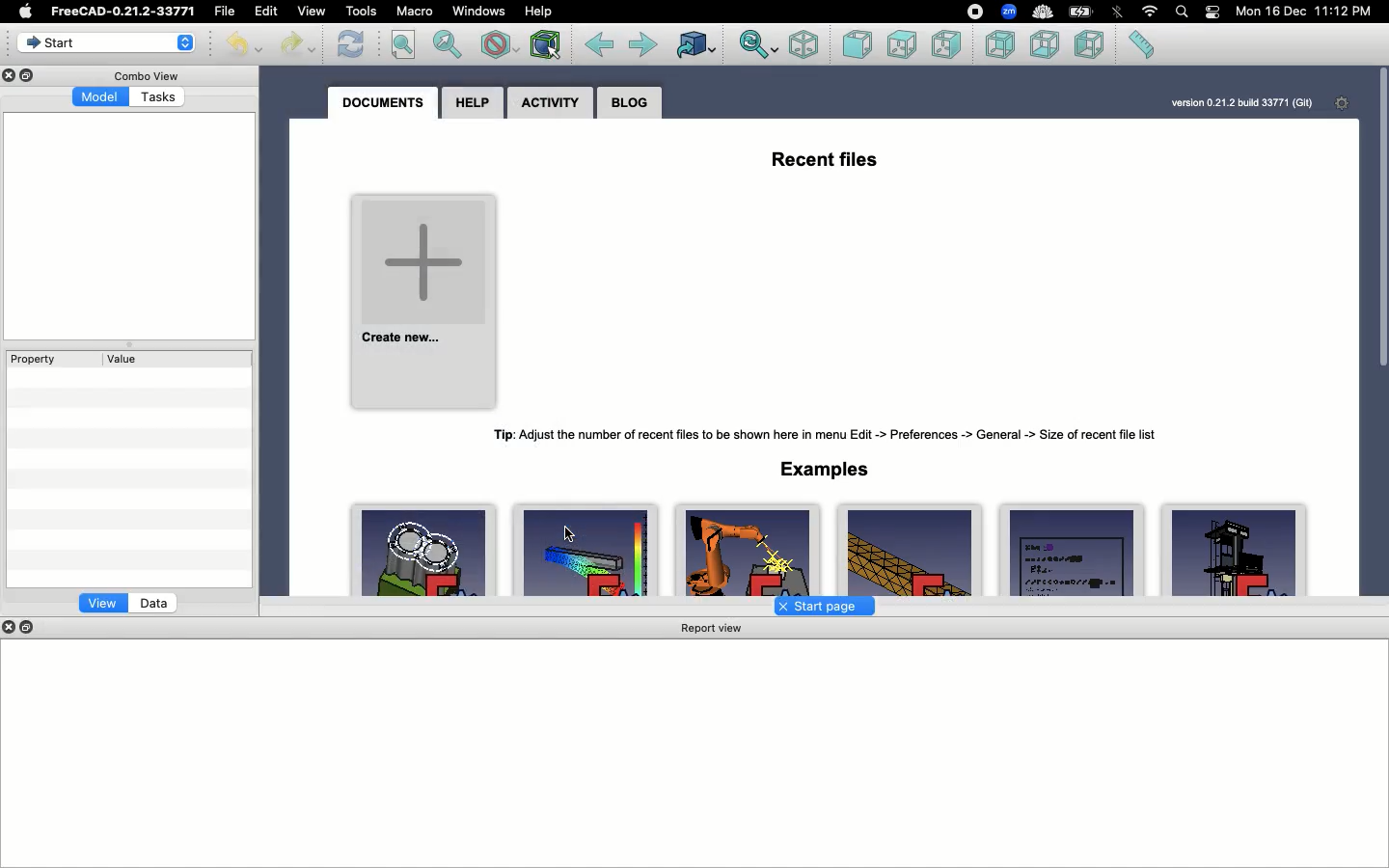 Image resolution: width=1389 pixels, height=868 pixels. Describe the element at coordinates (298, 44) in the screenshot. I see `Redo` at that location.